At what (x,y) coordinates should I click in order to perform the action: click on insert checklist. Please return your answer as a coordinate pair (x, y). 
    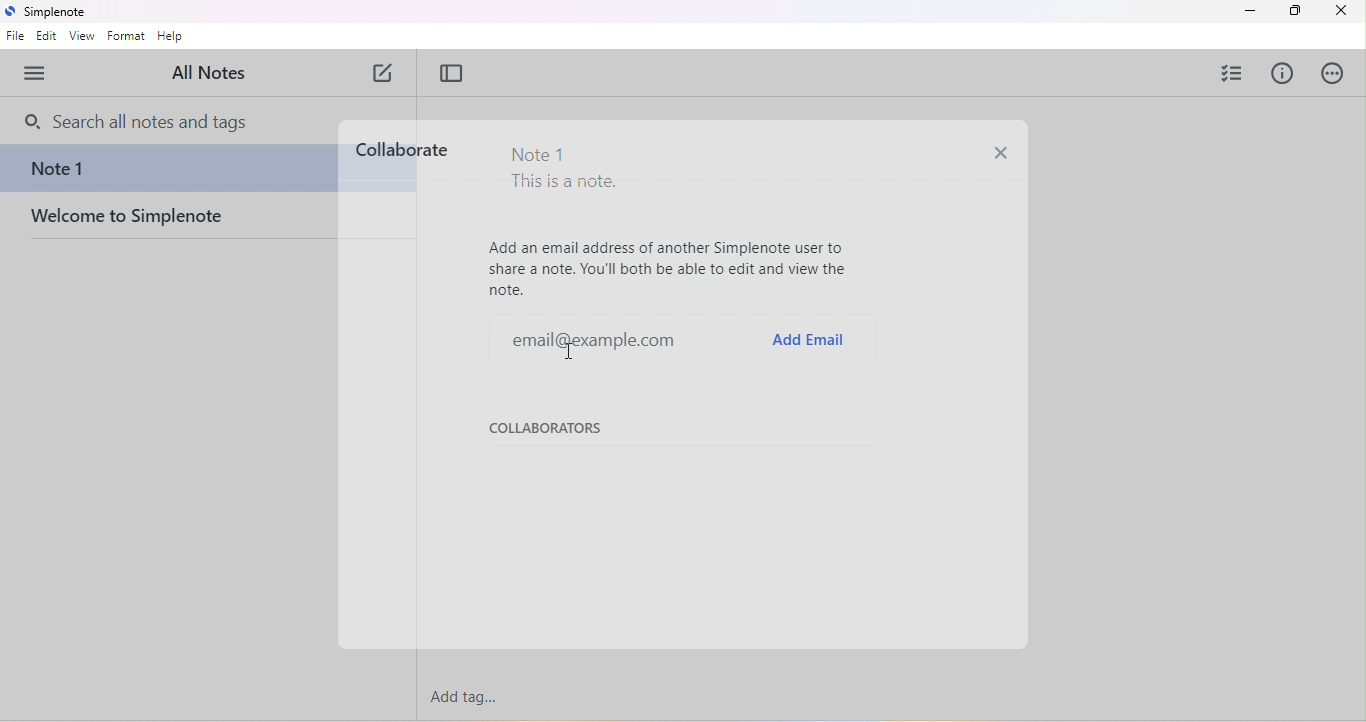
    Looking at the image, I should click on (1231, 72).